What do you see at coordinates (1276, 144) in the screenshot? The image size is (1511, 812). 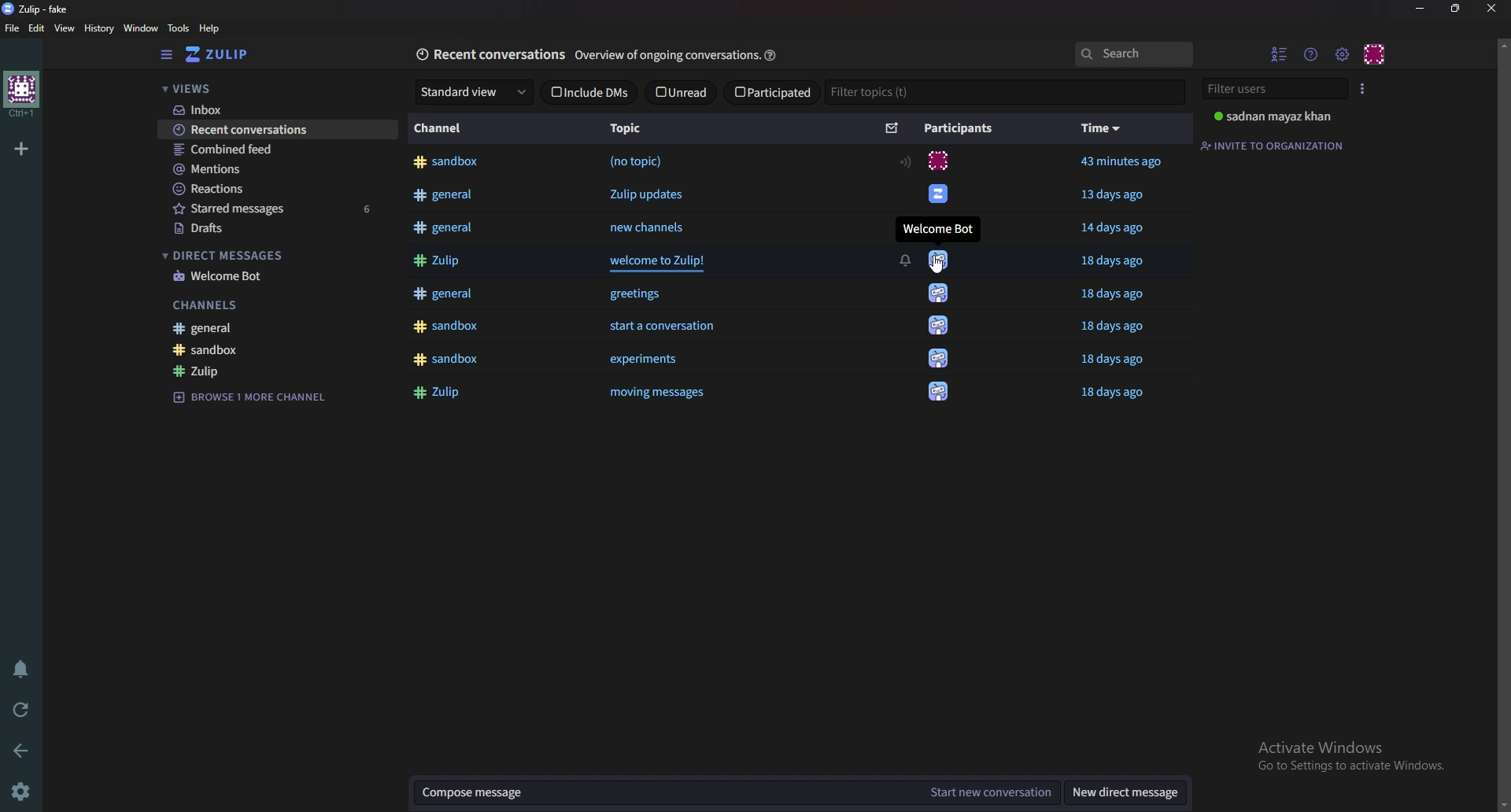 I see `Invite to organization` at bounding box center [1276, 144].